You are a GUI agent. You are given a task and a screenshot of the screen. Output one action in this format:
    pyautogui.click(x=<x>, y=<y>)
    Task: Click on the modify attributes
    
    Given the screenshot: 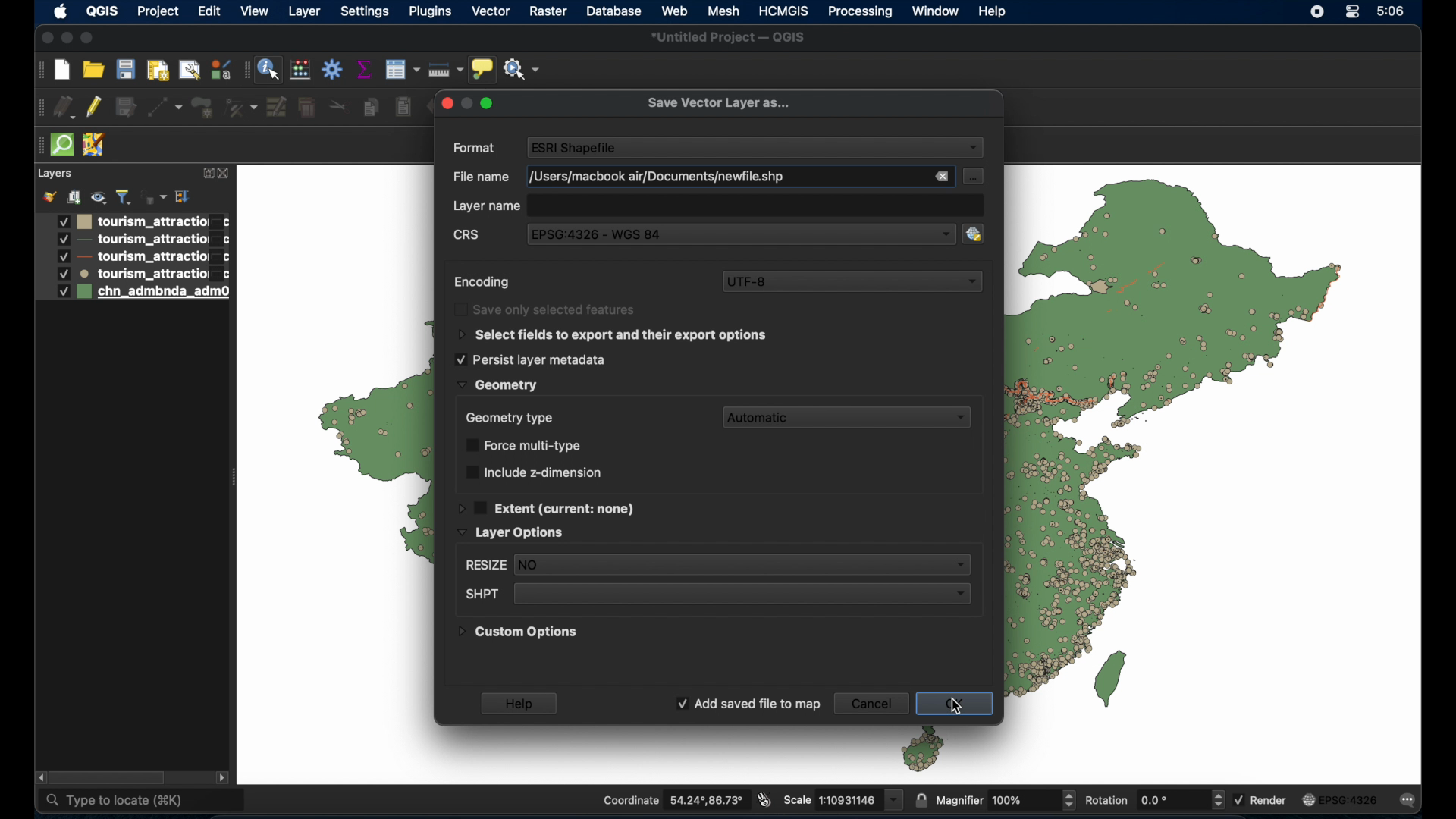 What is the action you would take?
    pyautogui.click(x=277, y=107)
    